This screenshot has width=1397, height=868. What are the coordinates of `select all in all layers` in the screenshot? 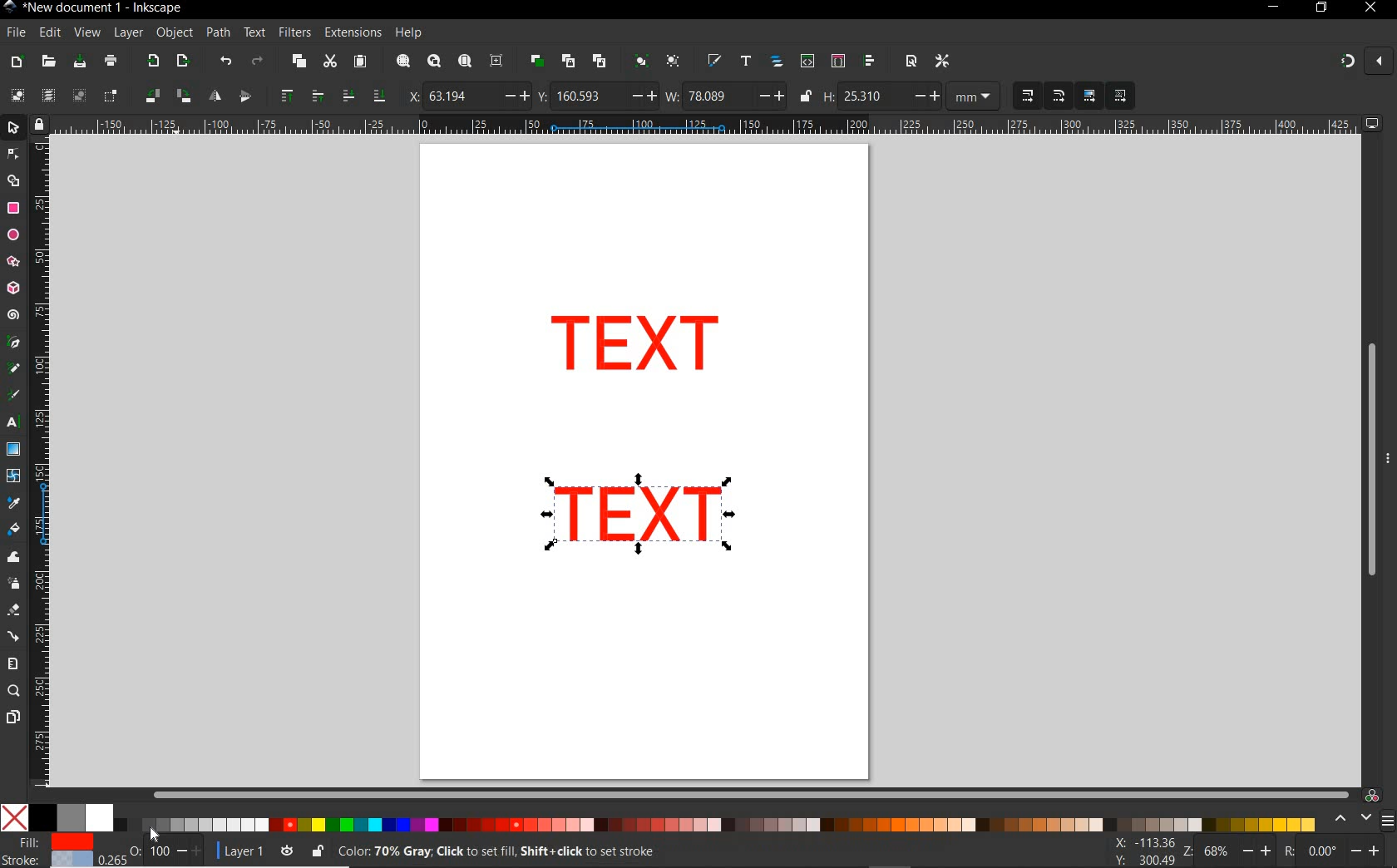 It's located at (48, 96).